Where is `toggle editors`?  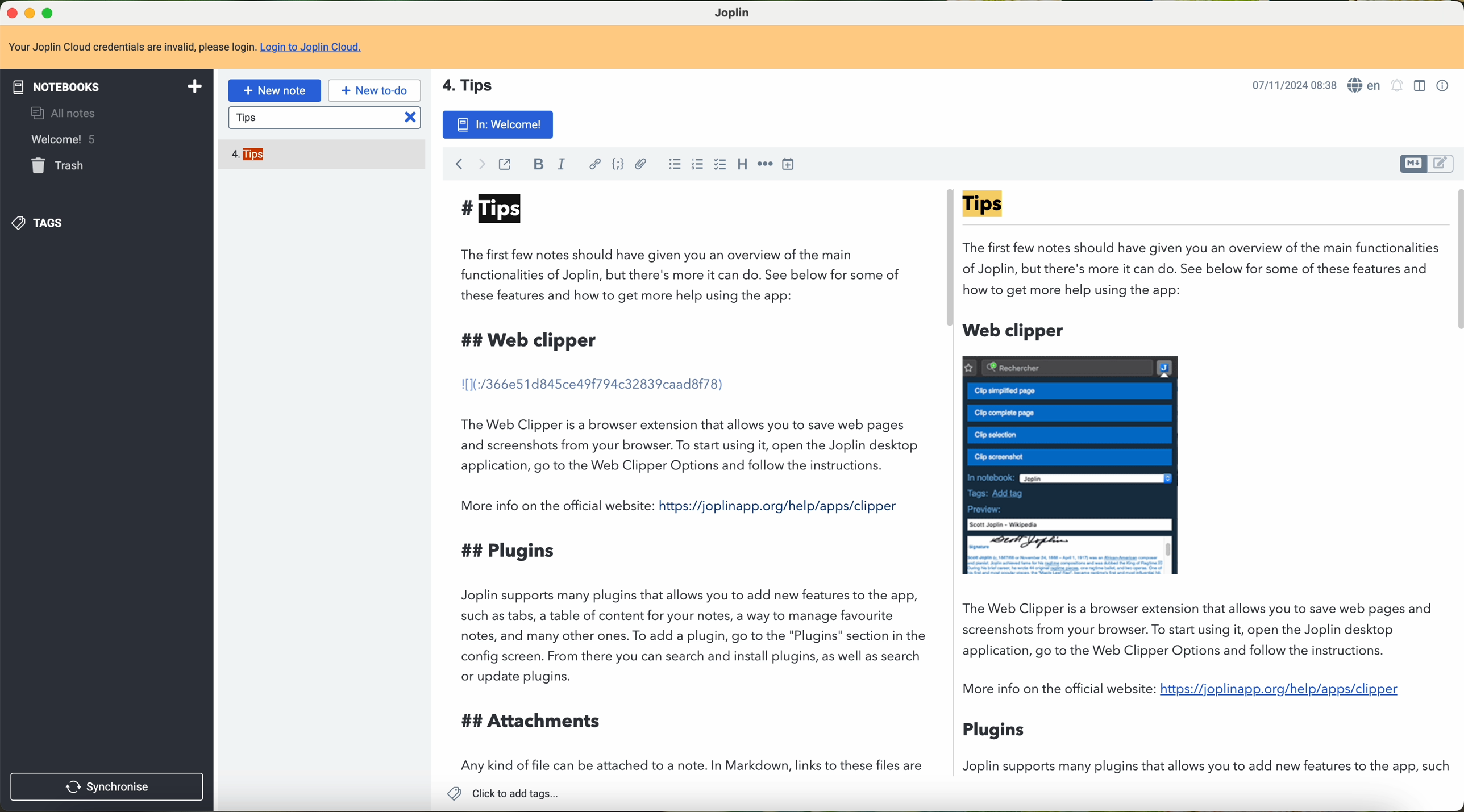 toggle editors is located at coordinates (1446, 163).